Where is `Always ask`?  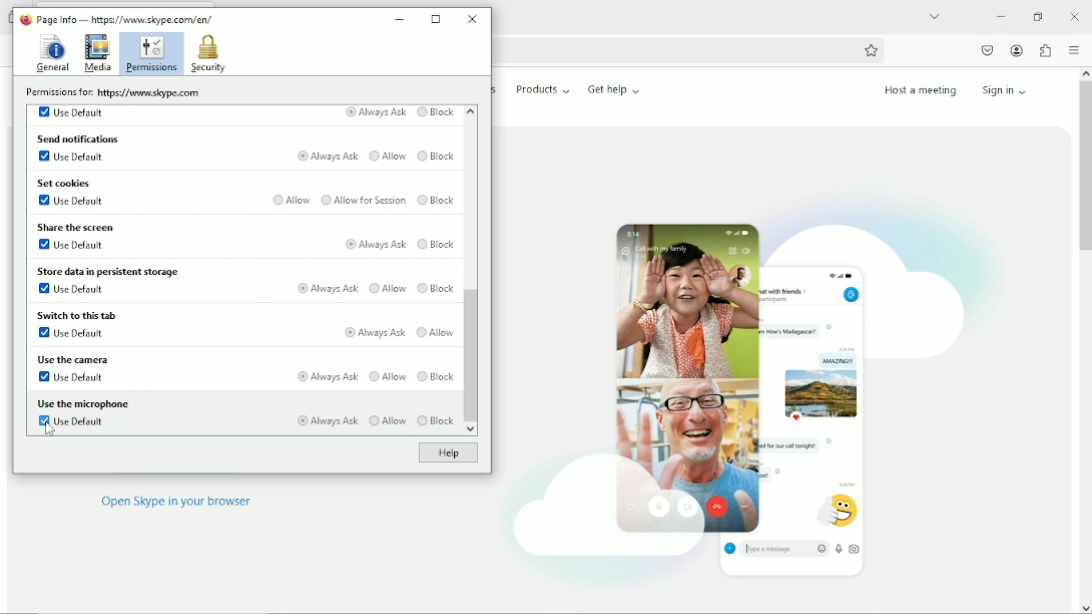
Always ask is located at coordinates (324, 376).